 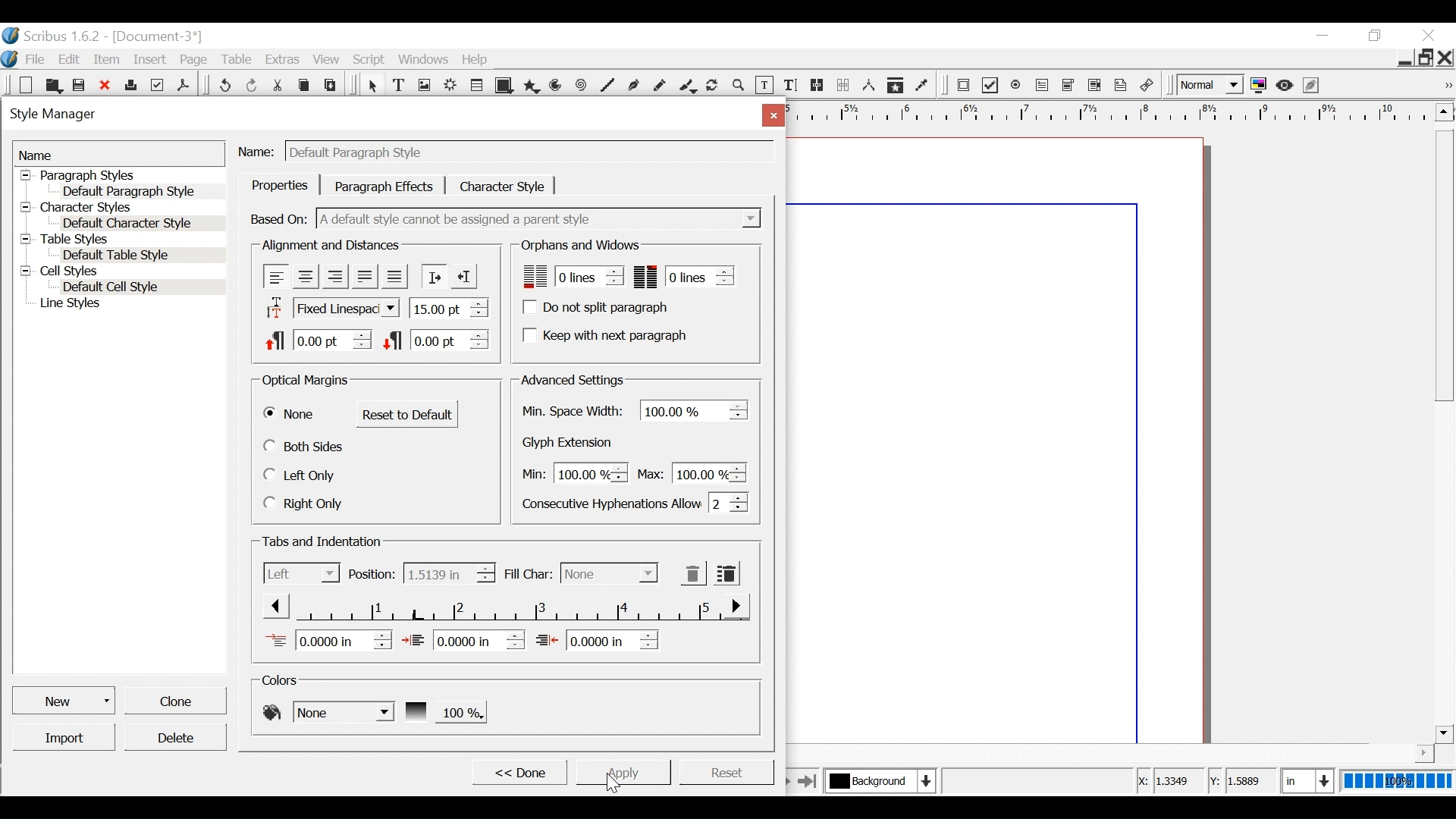 I want to click on Default Paragraph Style, so click(x=130, y=190).